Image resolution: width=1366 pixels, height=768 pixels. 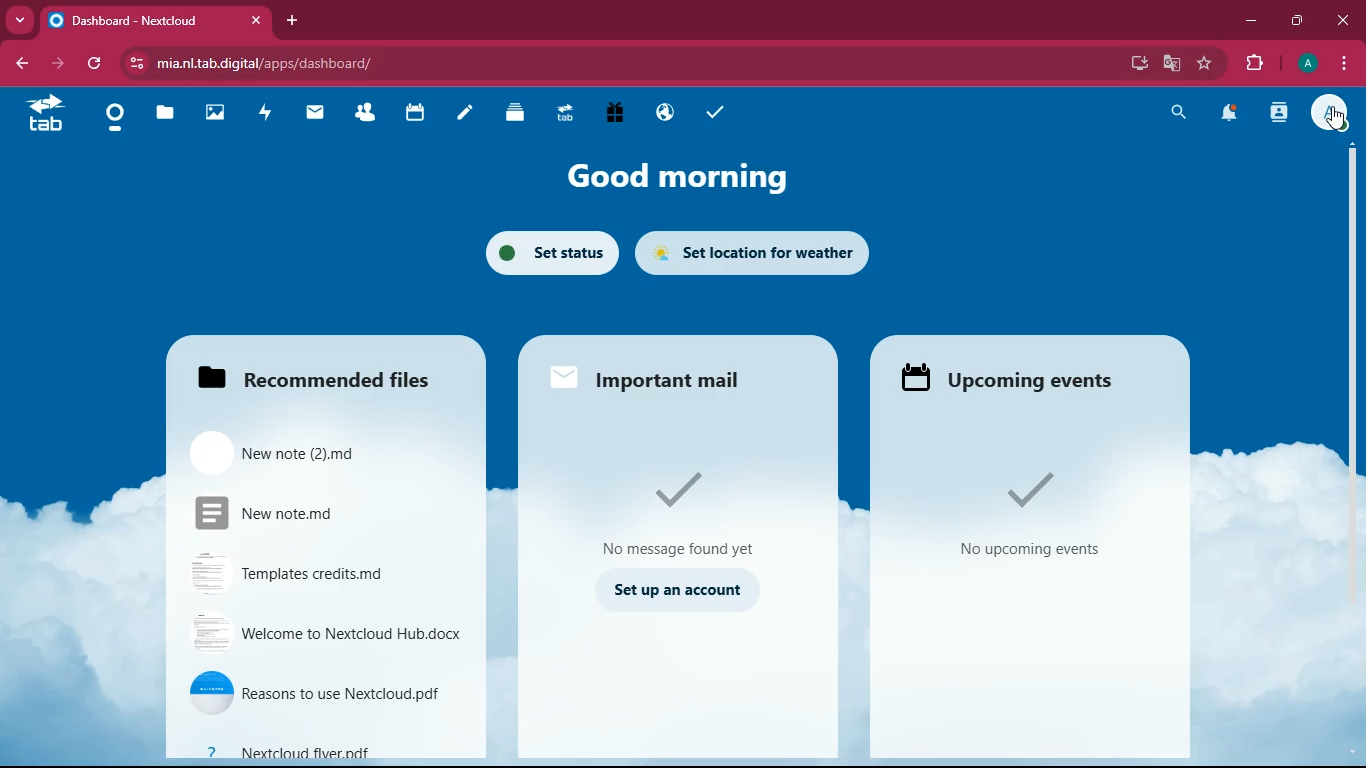 I want to click on extensions, so click(x=1253, y=64).